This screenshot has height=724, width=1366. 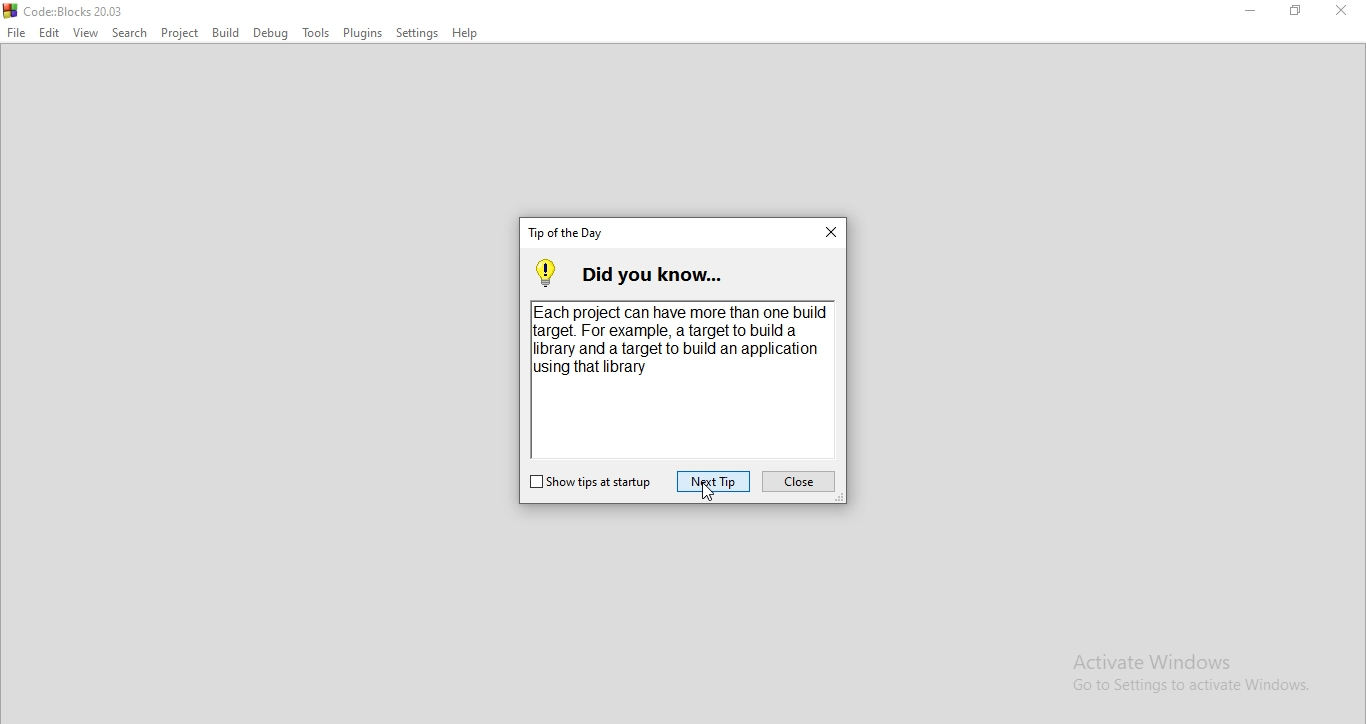 What do you see at coordinates (86, 33) in the screenshot?
I see `View ` at bounding box center [86, 33].